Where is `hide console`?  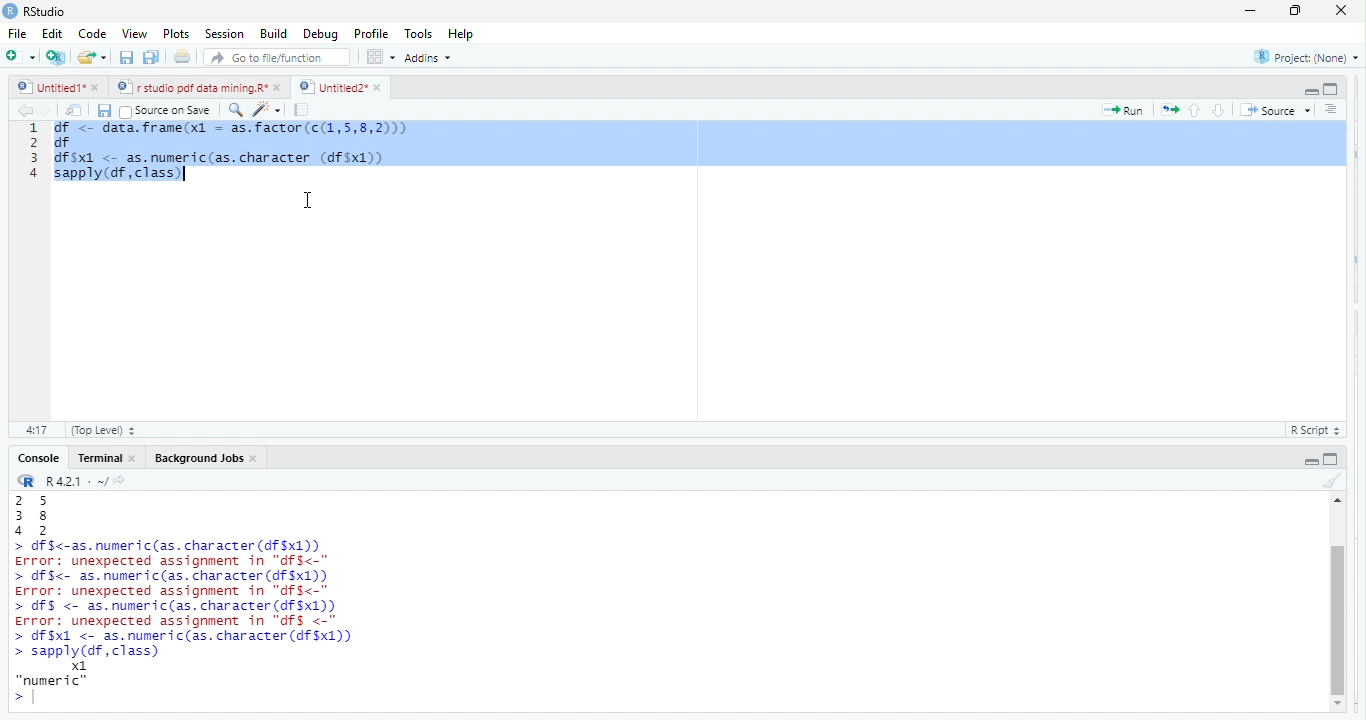 hide console is located at coordinates (1332, 88).